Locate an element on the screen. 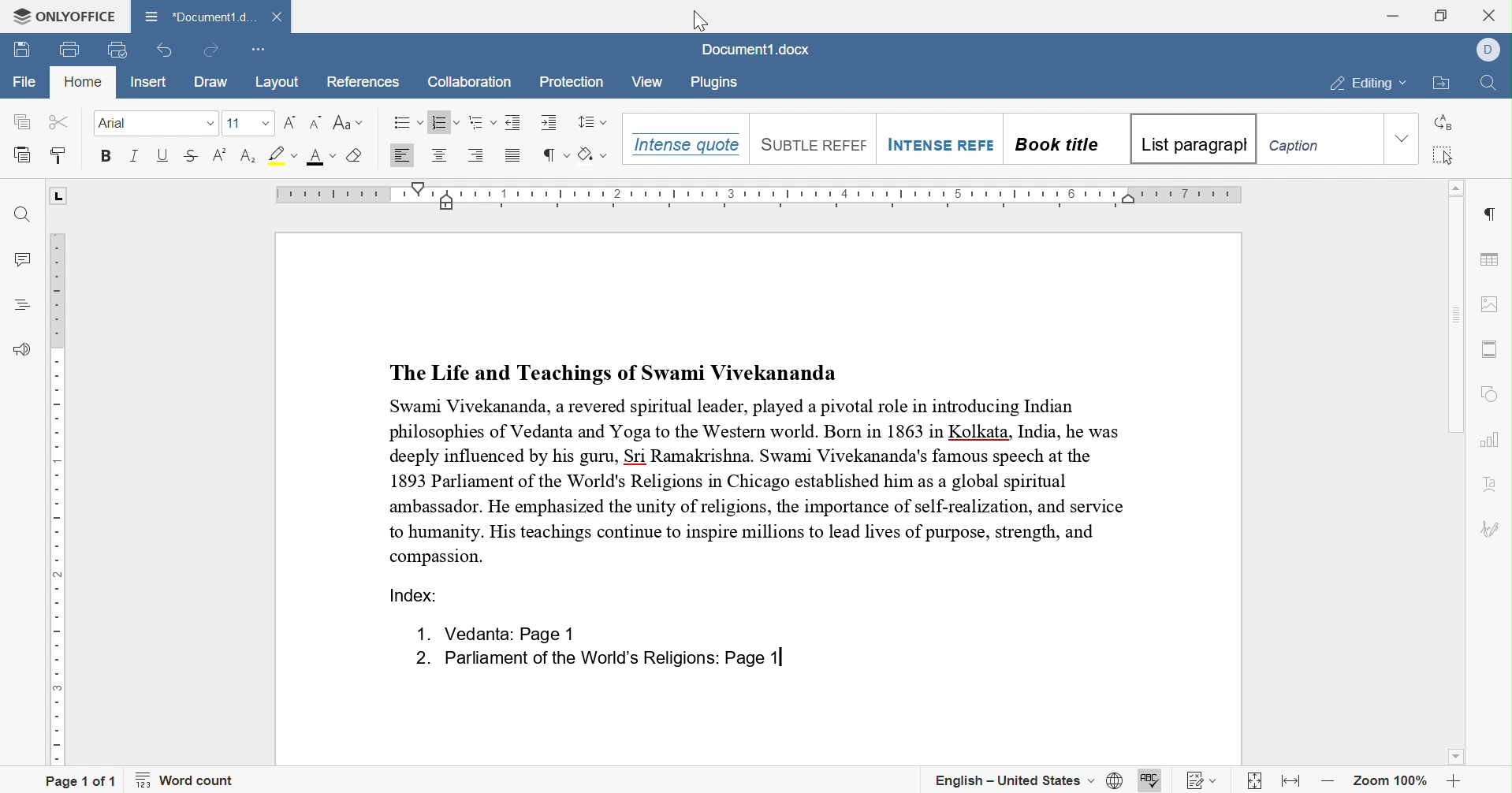 This screenshot has width=1512, height=793. drop down is located at coordinates (210, 123).